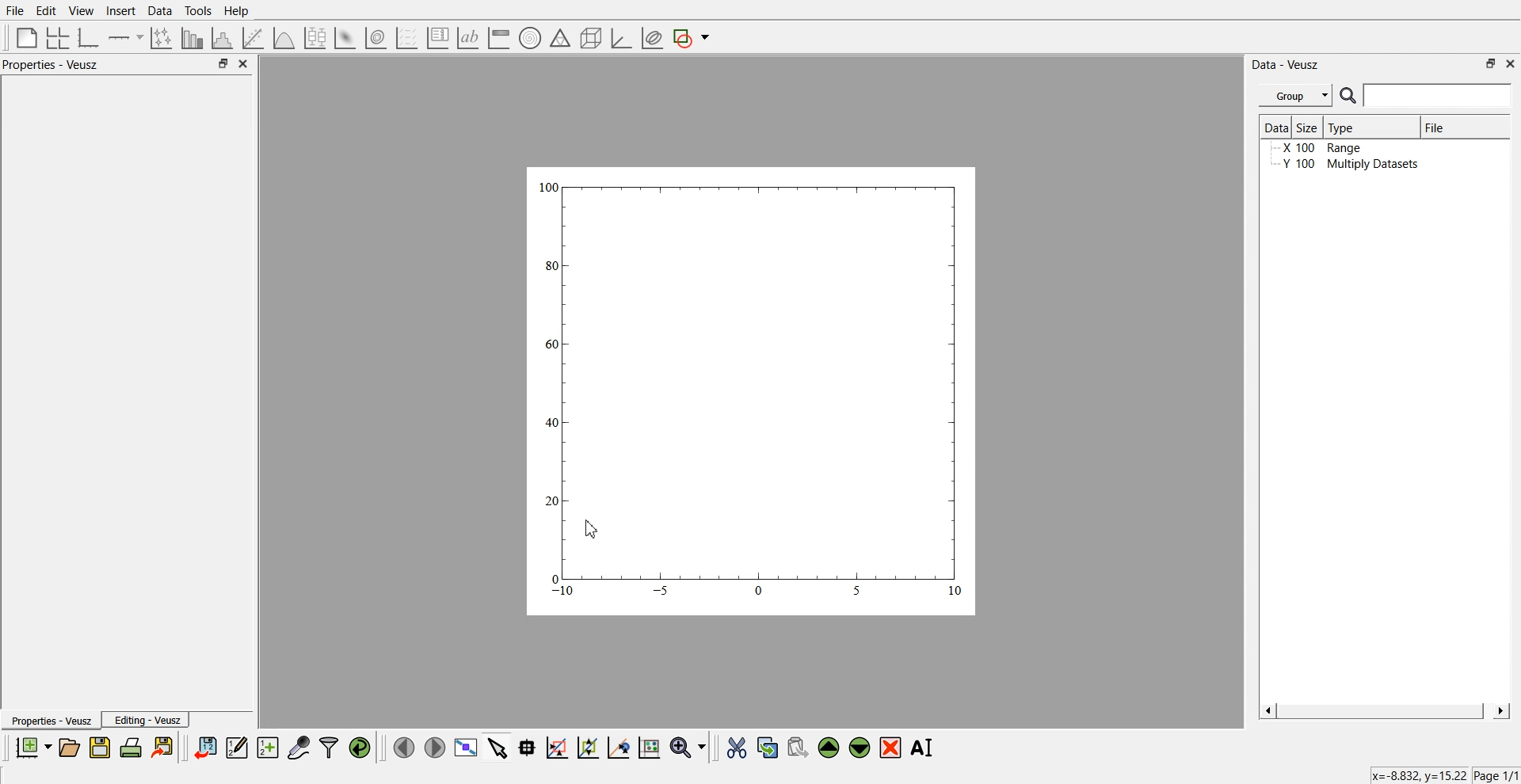 The image size is (1521, 784). I want to click on read data points, so click(527, 748).